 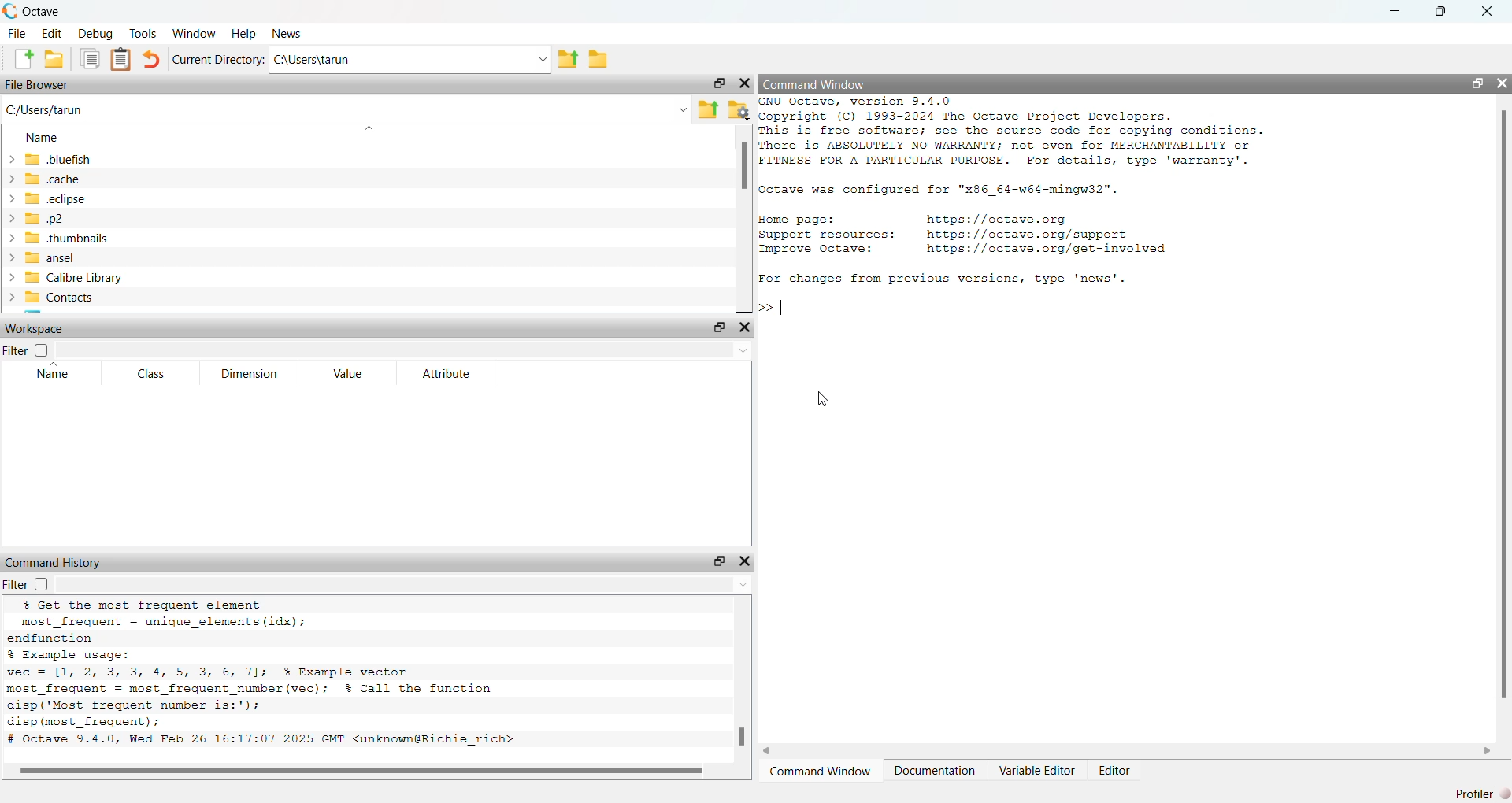 What do you see at coordinates (57, 198) in the screenshot?
I see `eclipse` at bounding box center [57, 198].